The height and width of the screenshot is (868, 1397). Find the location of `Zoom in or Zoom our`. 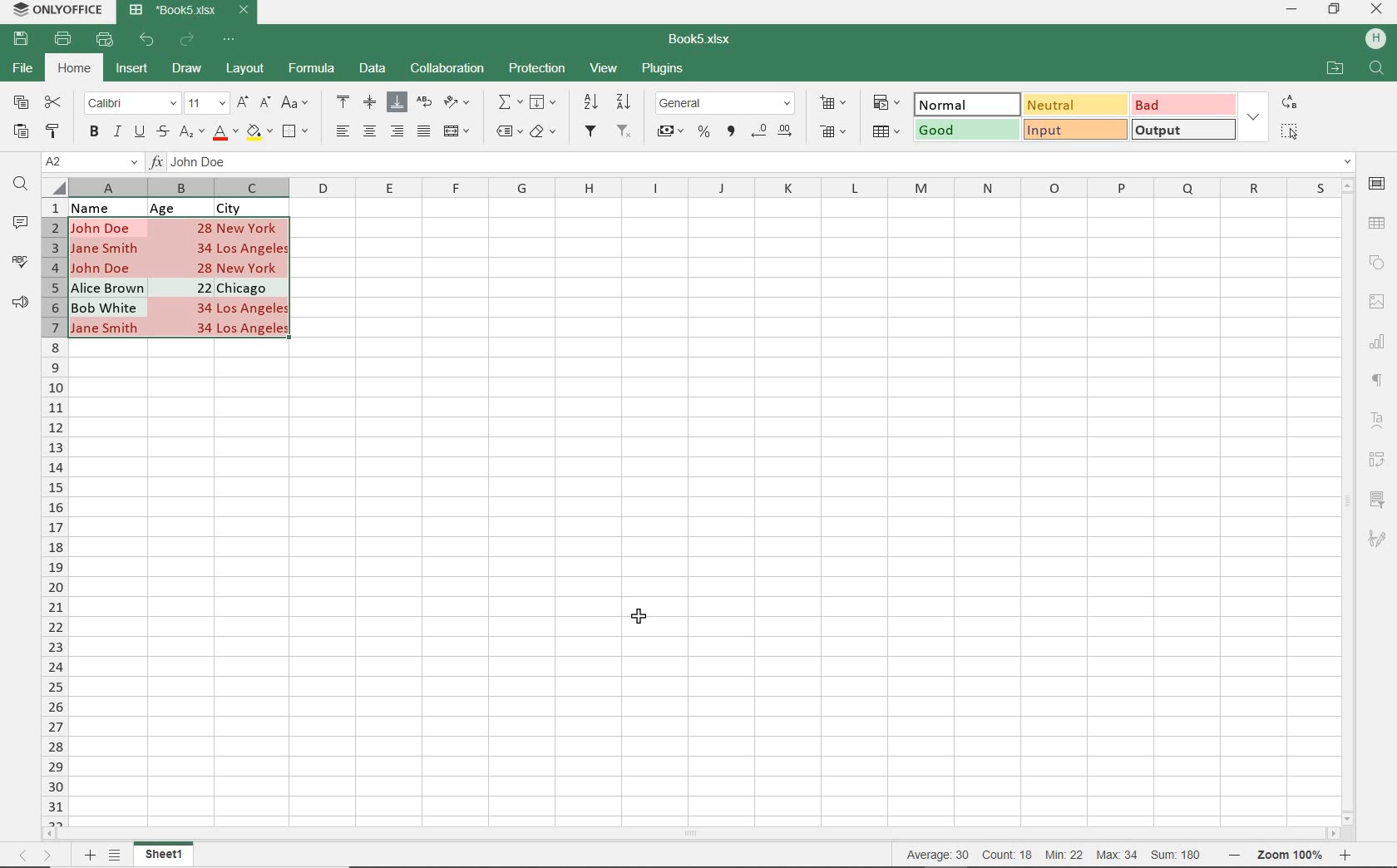

Zoom in or Zoom our is located at coordinates (1295, 855).